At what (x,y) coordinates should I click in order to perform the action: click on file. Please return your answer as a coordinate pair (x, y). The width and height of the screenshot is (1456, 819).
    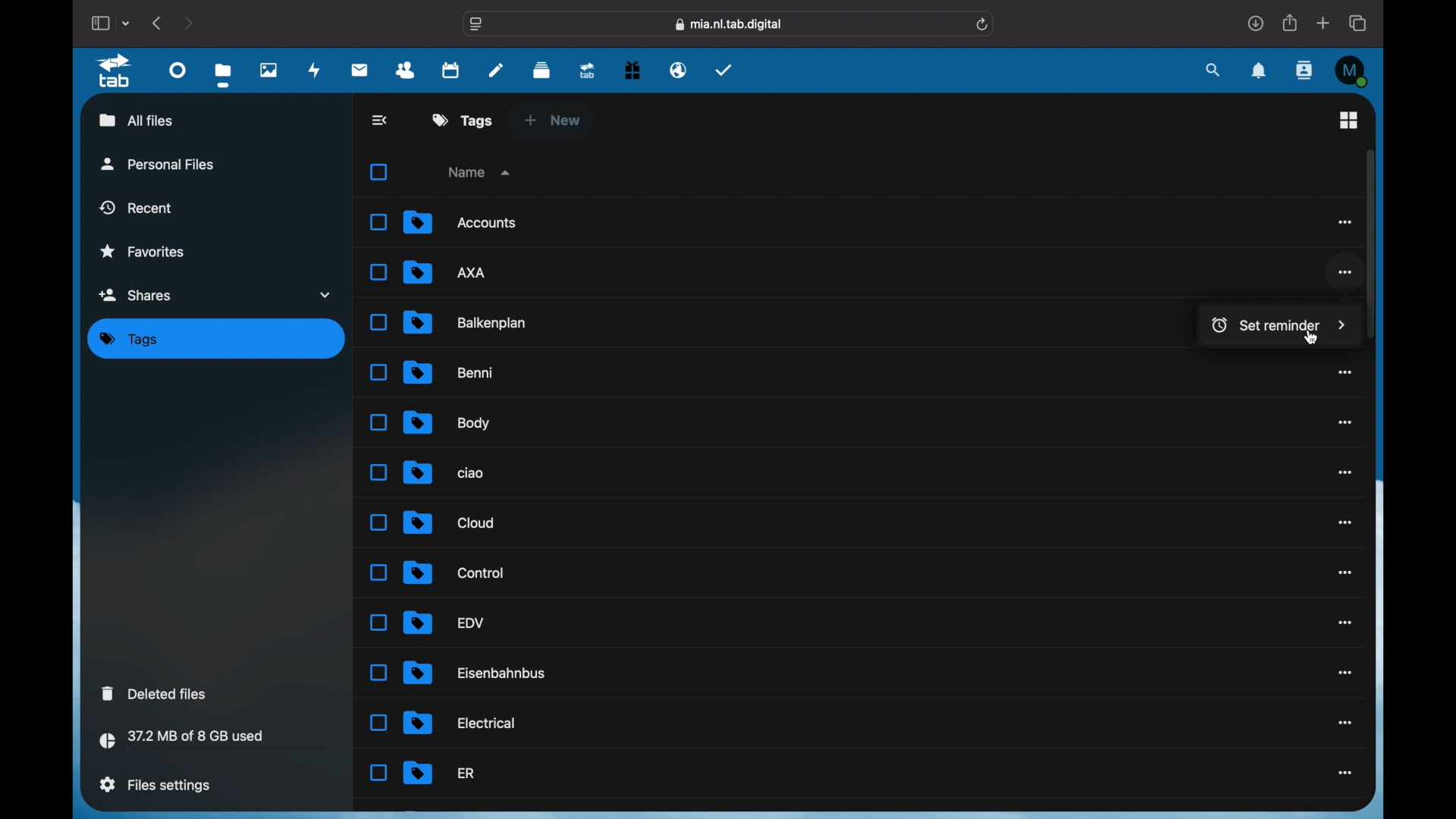
    Looking at the image, I should click on (468, 322).